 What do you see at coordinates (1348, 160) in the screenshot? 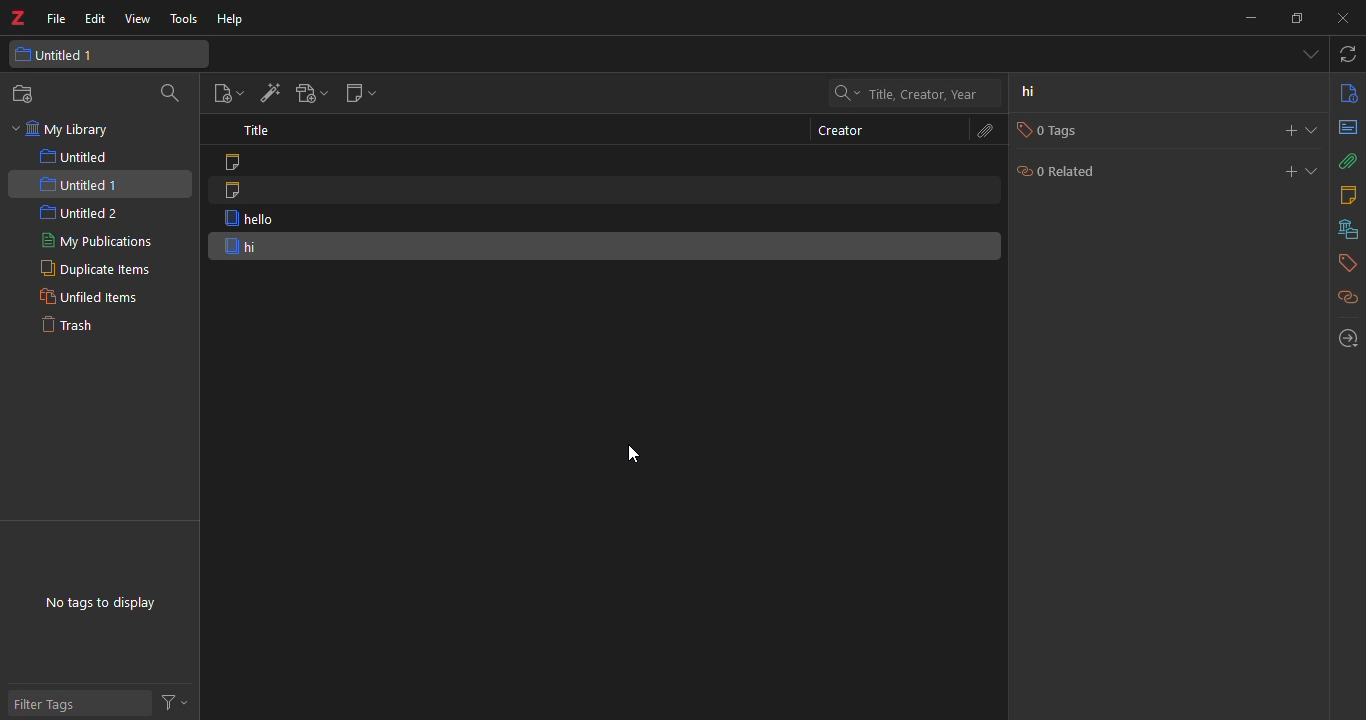
I see `attach` at bounding box center [1348, 160].